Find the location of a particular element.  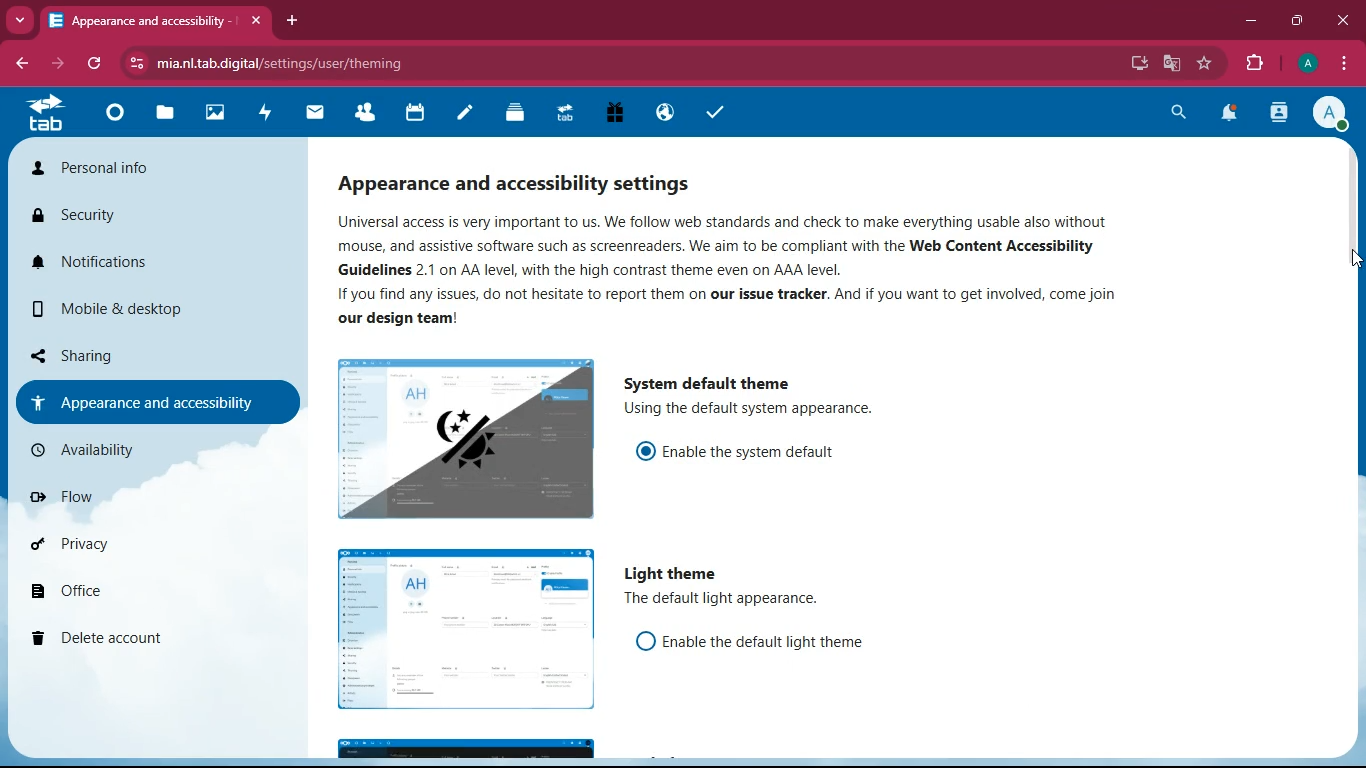

tasks is located at coordinates (711, 109).